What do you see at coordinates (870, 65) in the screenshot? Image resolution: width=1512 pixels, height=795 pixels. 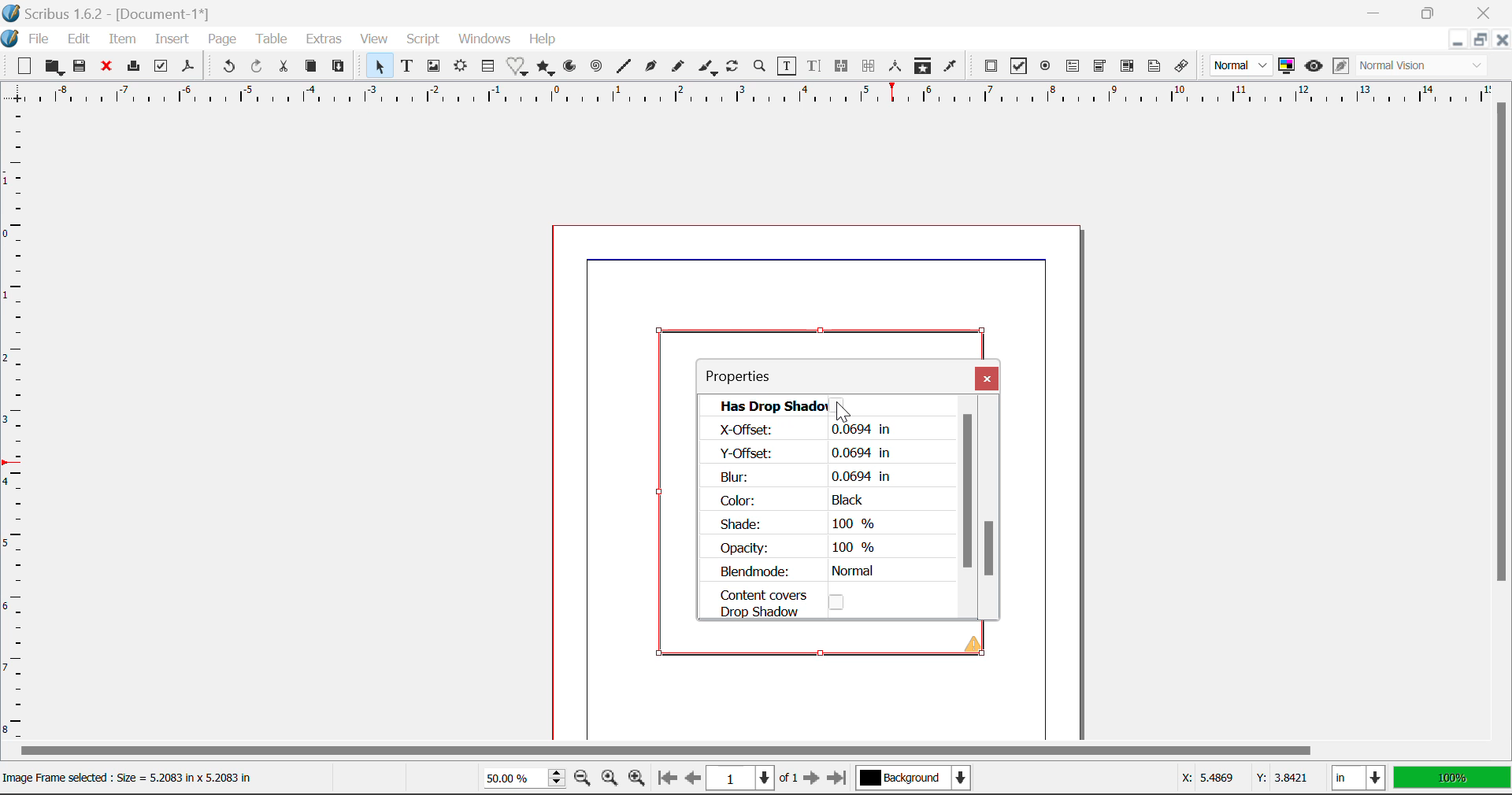 I see `Unlink Text Frames` at bounding box center [870, 65].